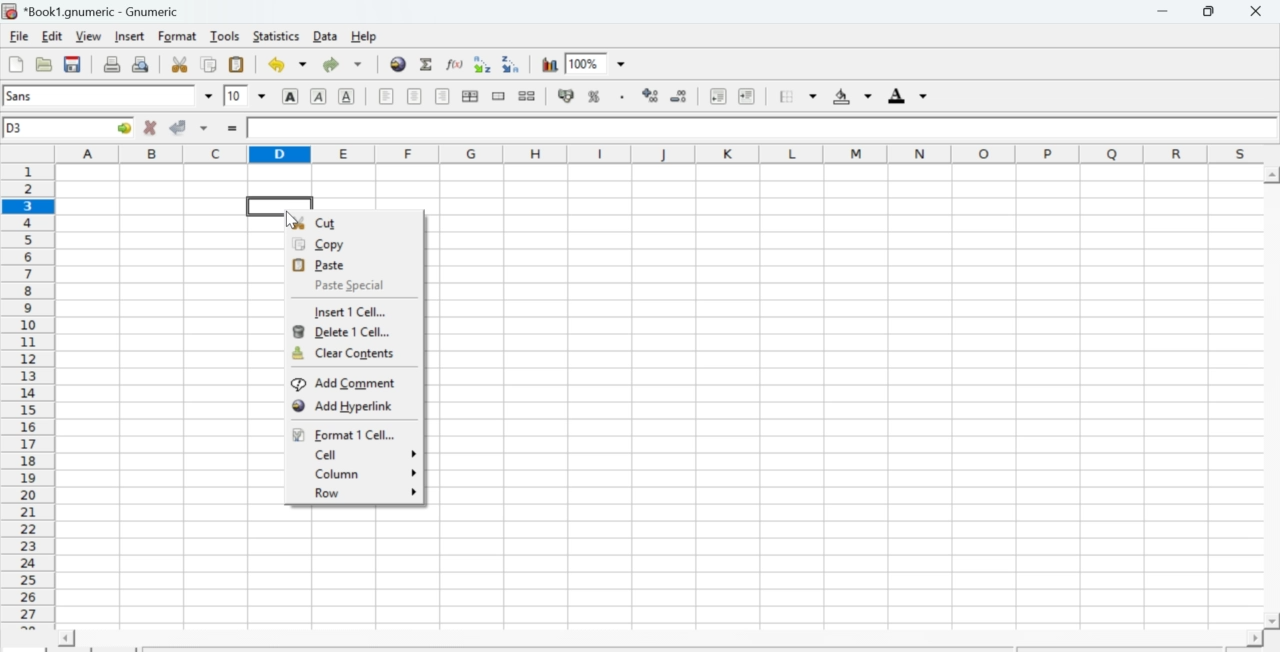 The image size is (1280, 652). Describe the element at coordinates (88, 35) in the screenshot. I see `View` at that location.